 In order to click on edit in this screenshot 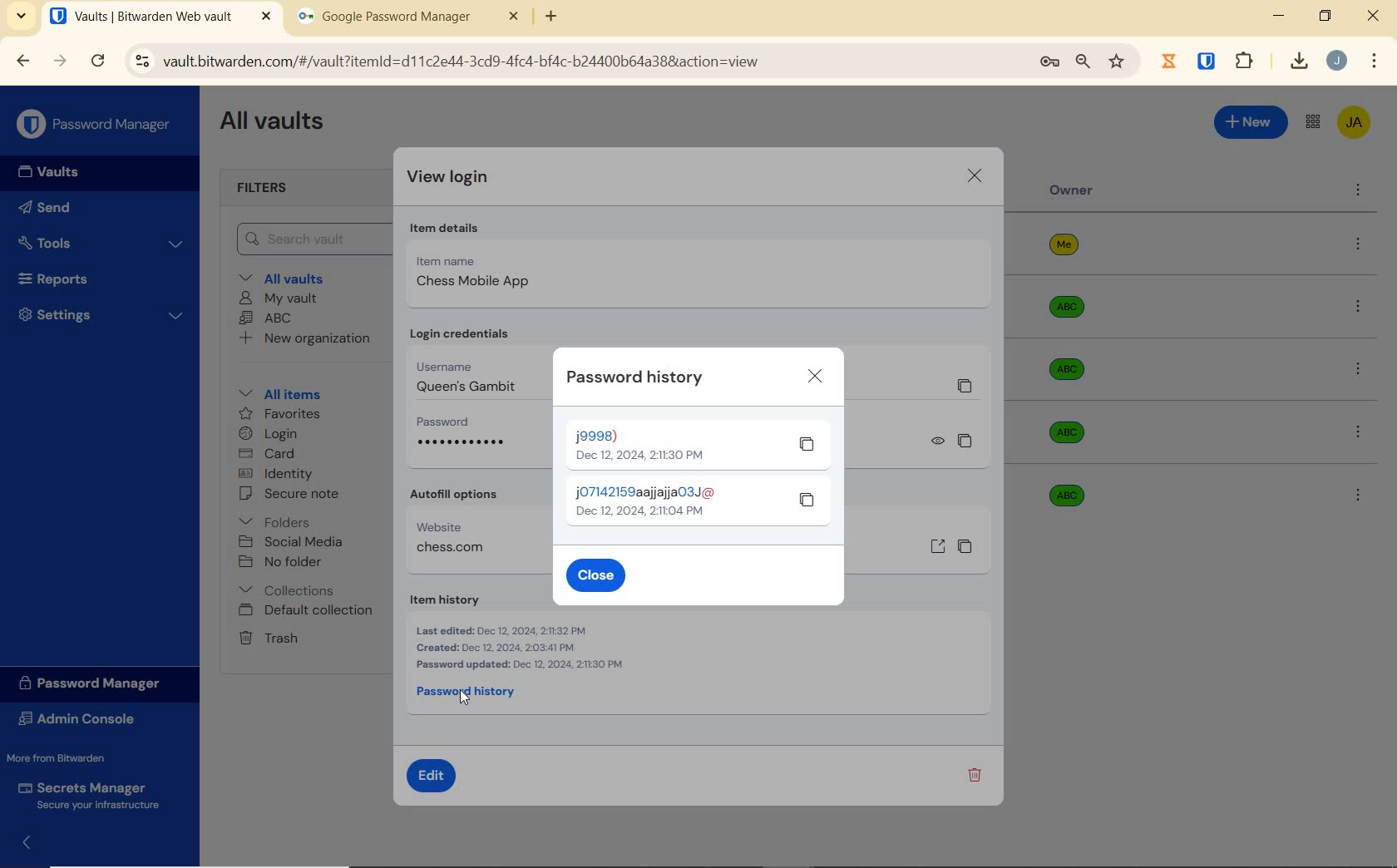, I will do `click(433, 775)`.